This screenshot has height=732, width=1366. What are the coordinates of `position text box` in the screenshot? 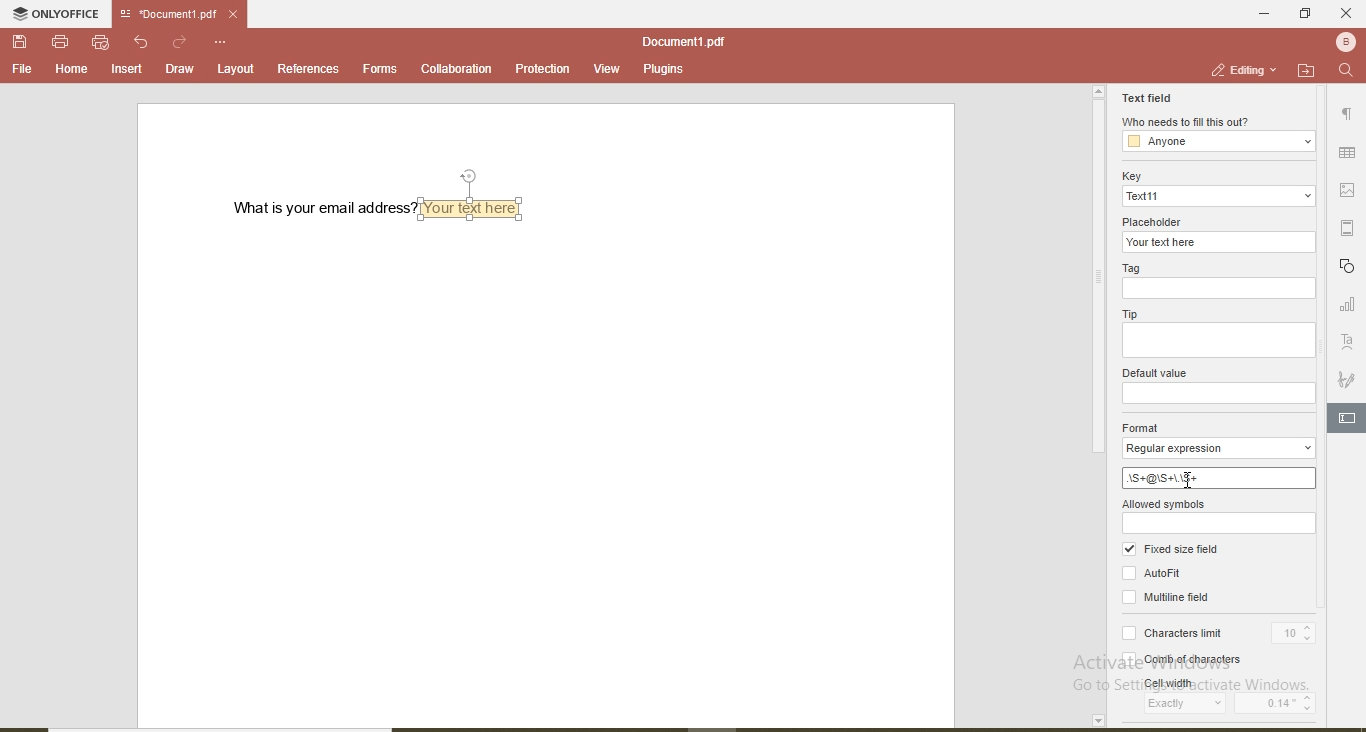 It's located at (473, 175).